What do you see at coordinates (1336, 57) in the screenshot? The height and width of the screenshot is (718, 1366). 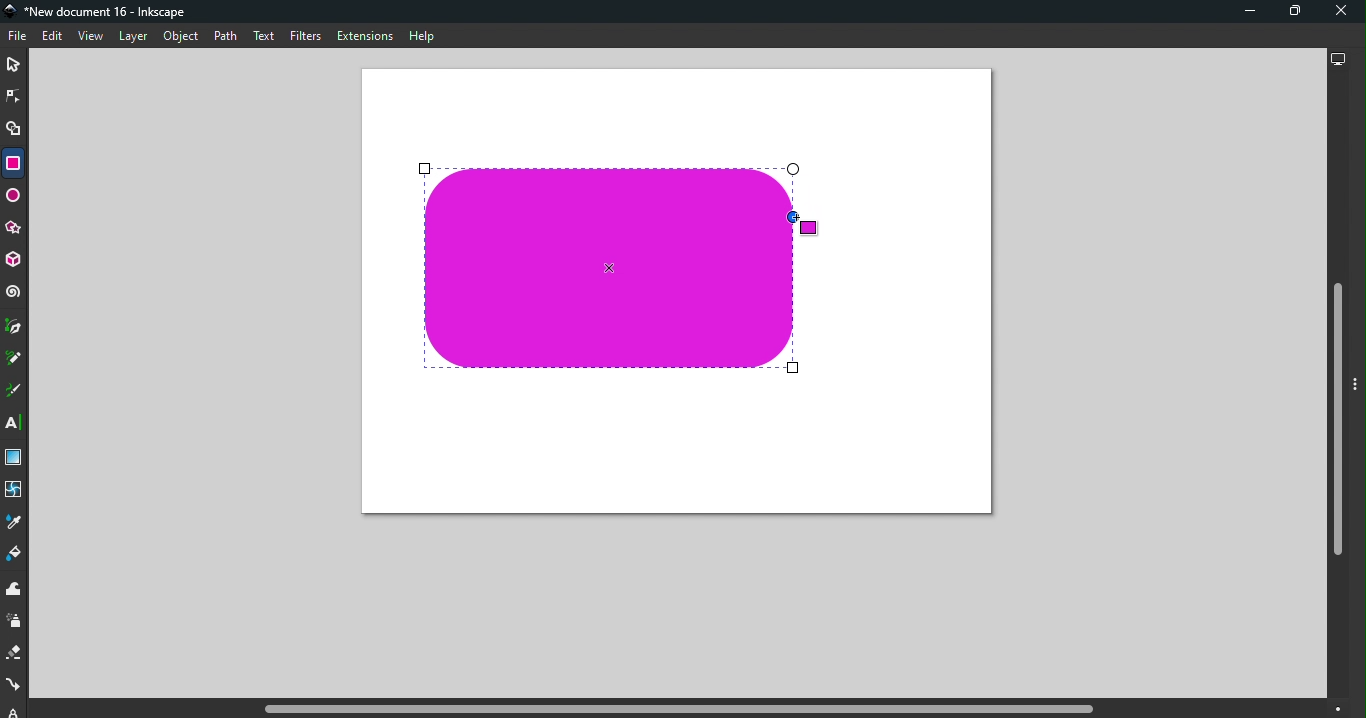 I see `Display options` at bounding box center [1336, 57].